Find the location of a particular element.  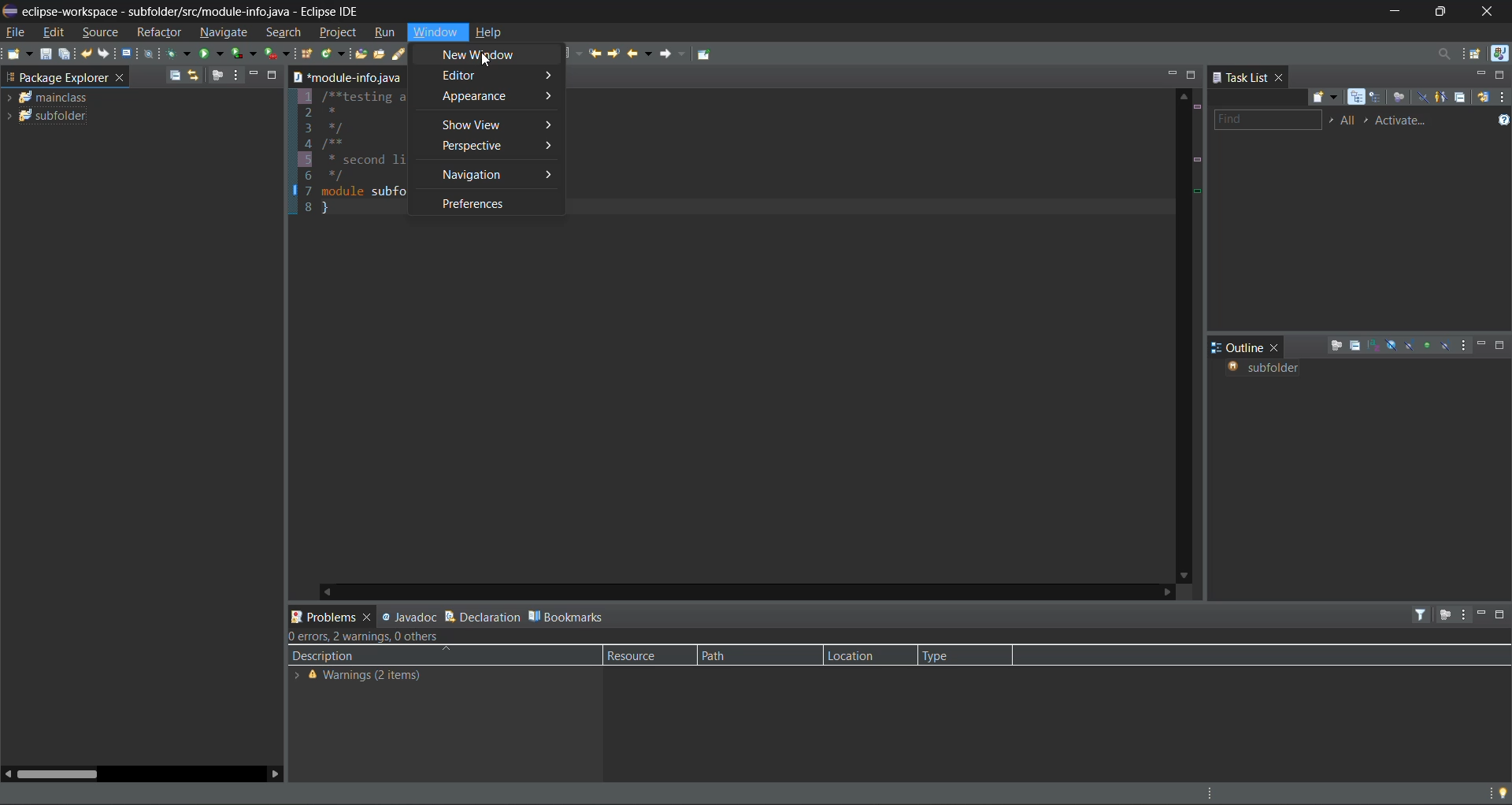

java is located at coordinates (1499, 52).